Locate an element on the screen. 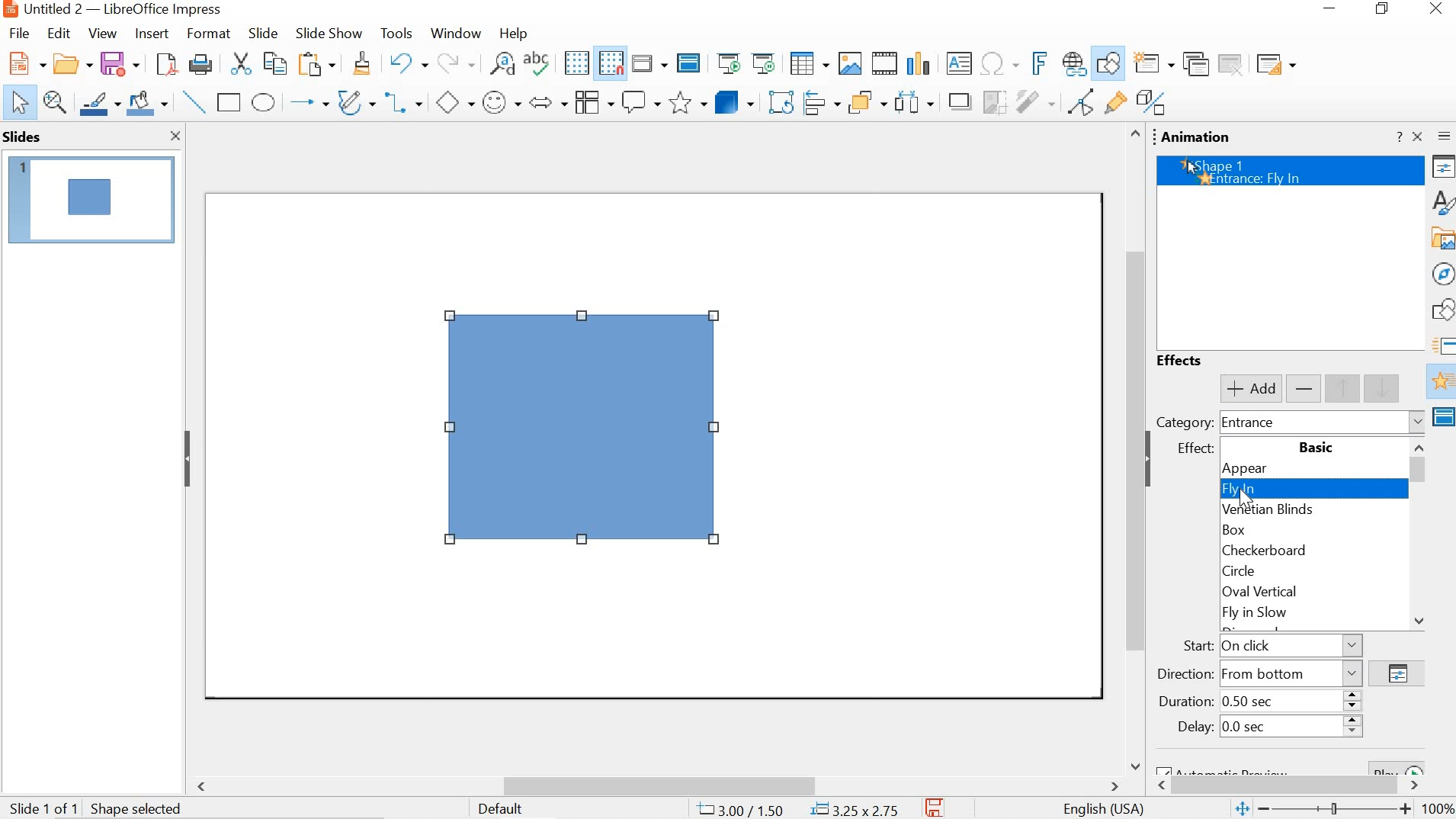   is located at coordinates (592, 101).